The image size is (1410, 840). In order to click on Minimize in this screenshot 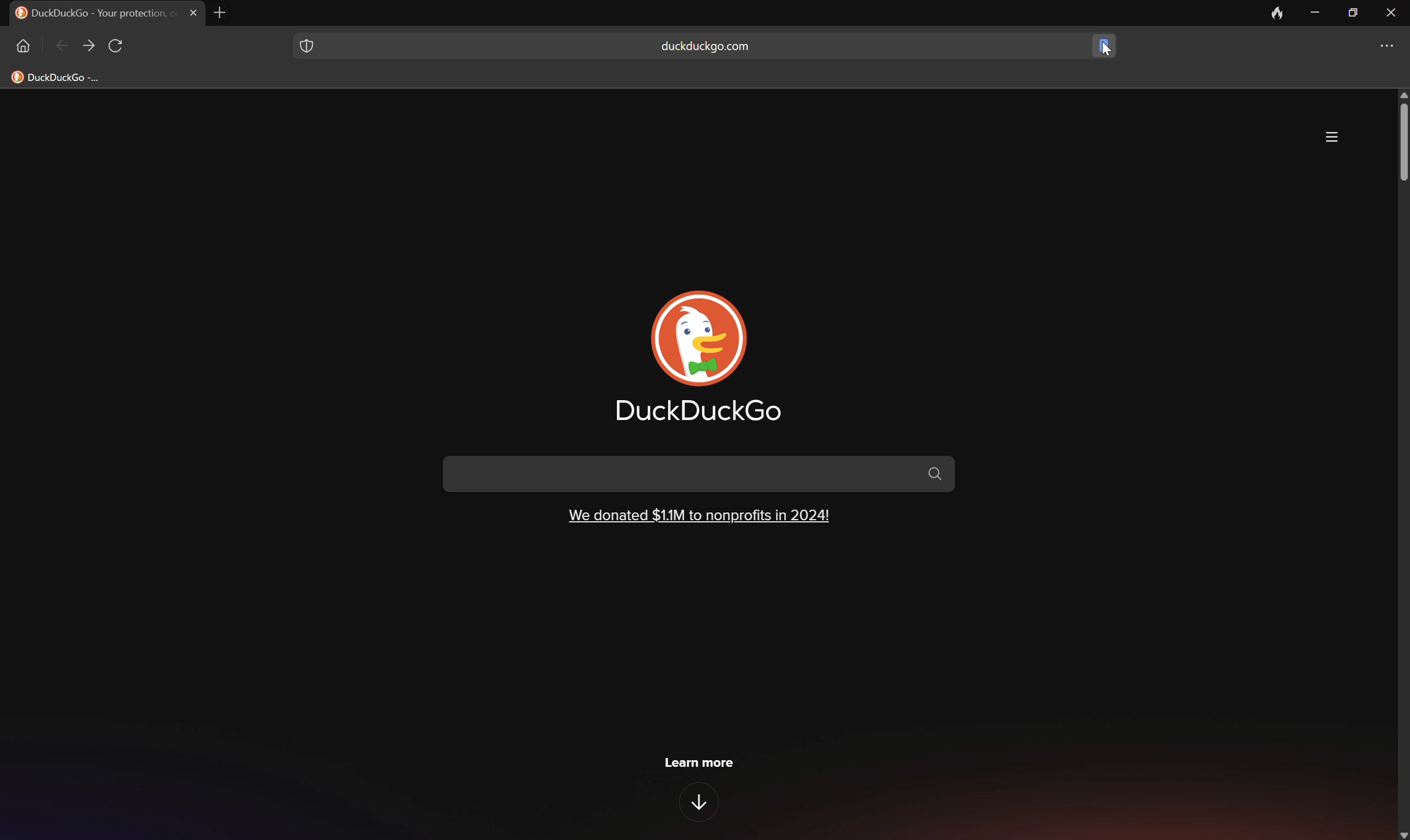, I will do `click(1318, 12)`.